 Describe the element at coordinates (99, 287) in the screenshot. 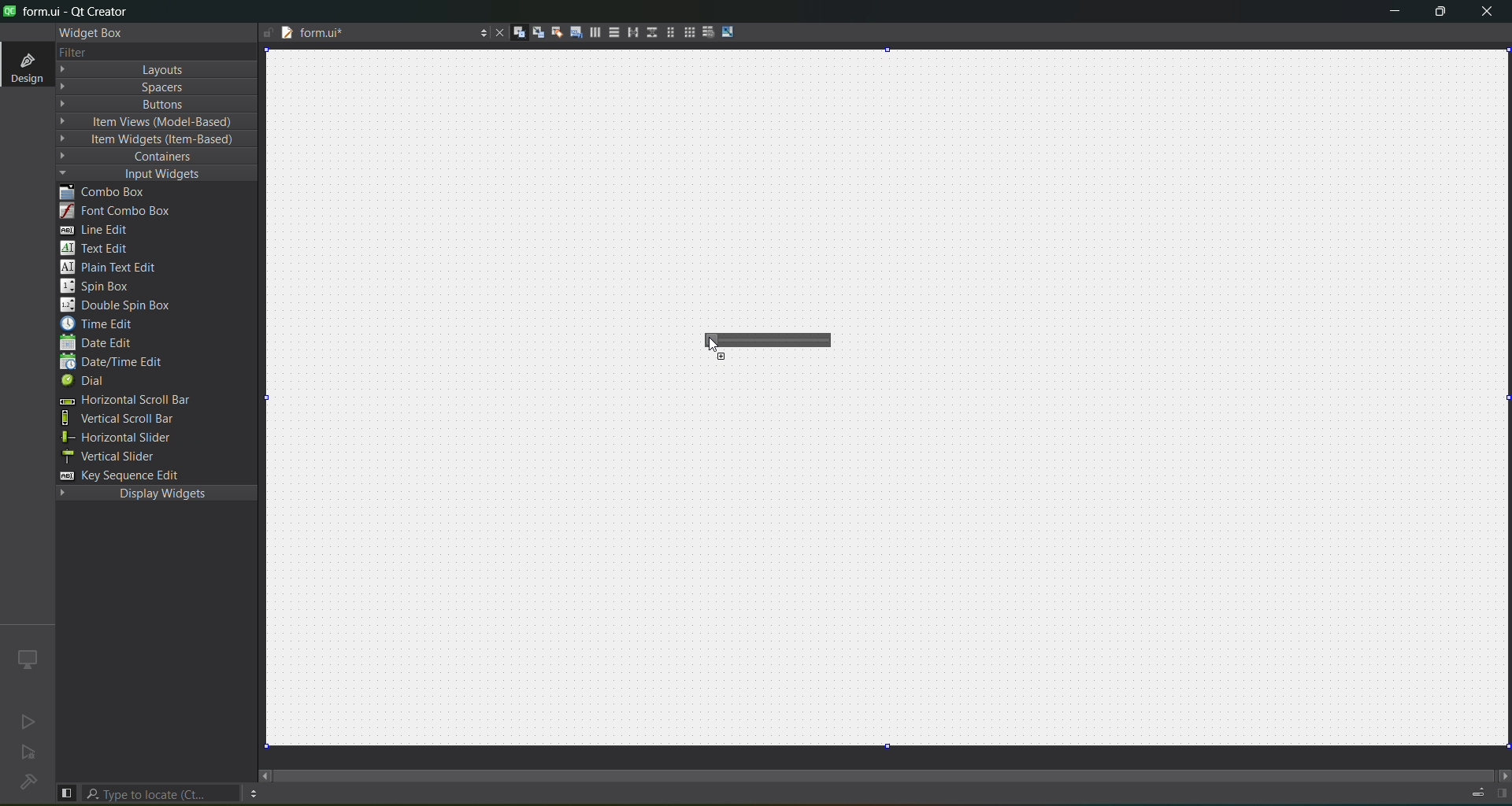

I see `spin box` at that location.